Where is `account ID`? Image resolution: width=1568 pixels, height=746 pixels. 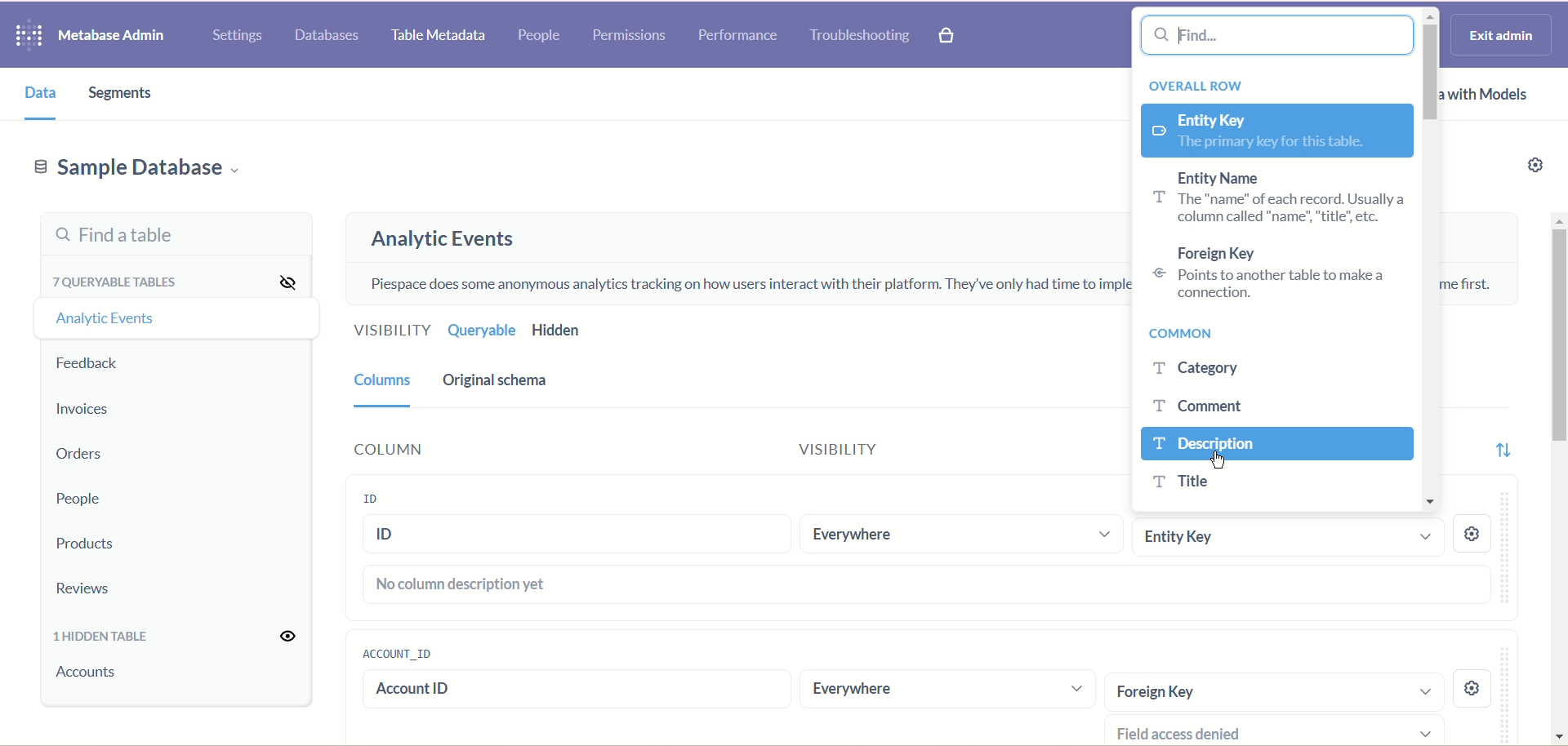
account ID is located at coordinates (396, 653).